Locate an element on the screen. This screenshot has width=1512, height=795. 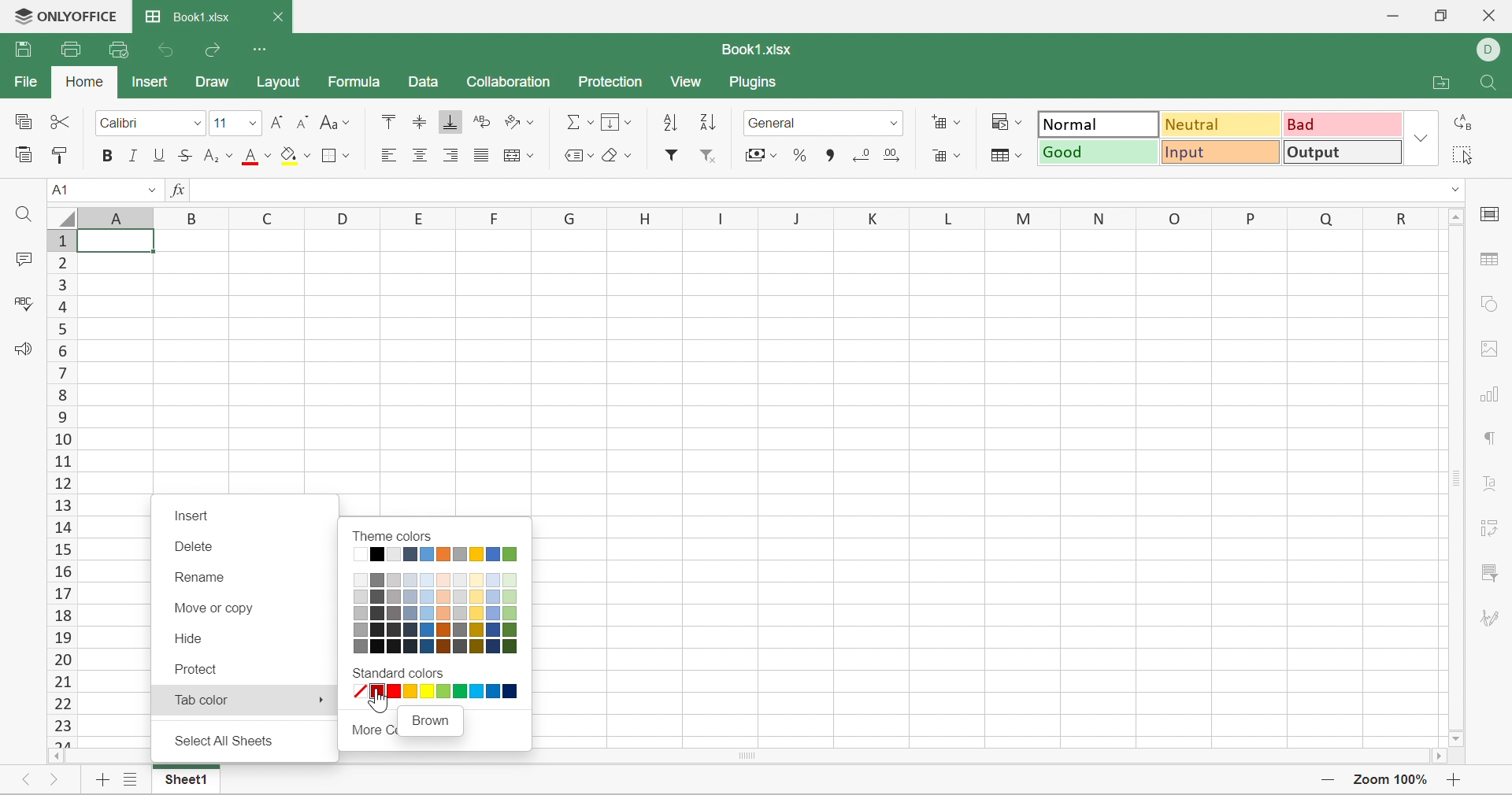
font dropdown is located at coordinates (196, 123).